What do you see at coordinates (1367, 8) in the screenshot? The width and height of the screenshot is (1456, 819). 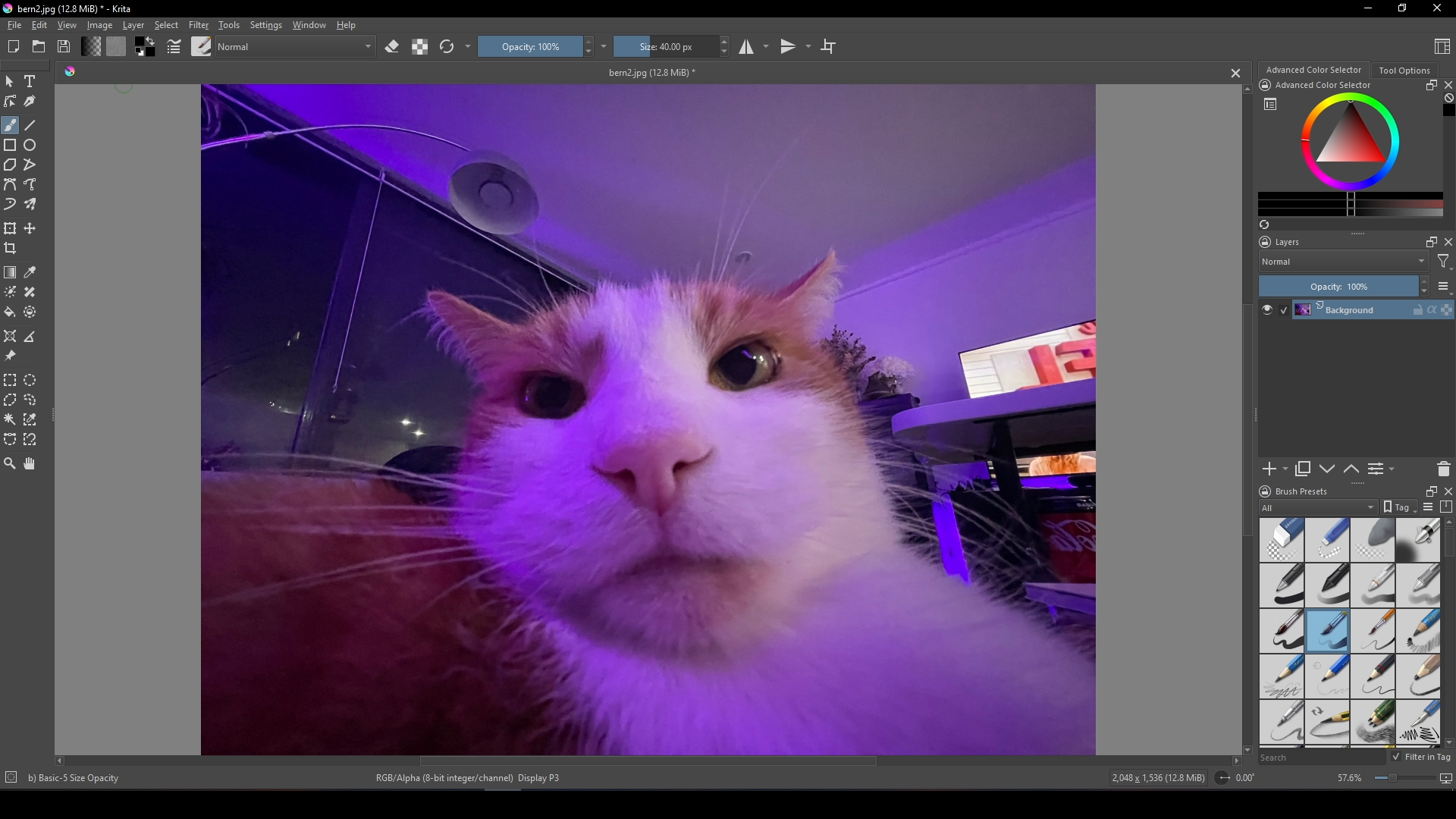 I see `Minimize` at bounding box center [1367, 8].